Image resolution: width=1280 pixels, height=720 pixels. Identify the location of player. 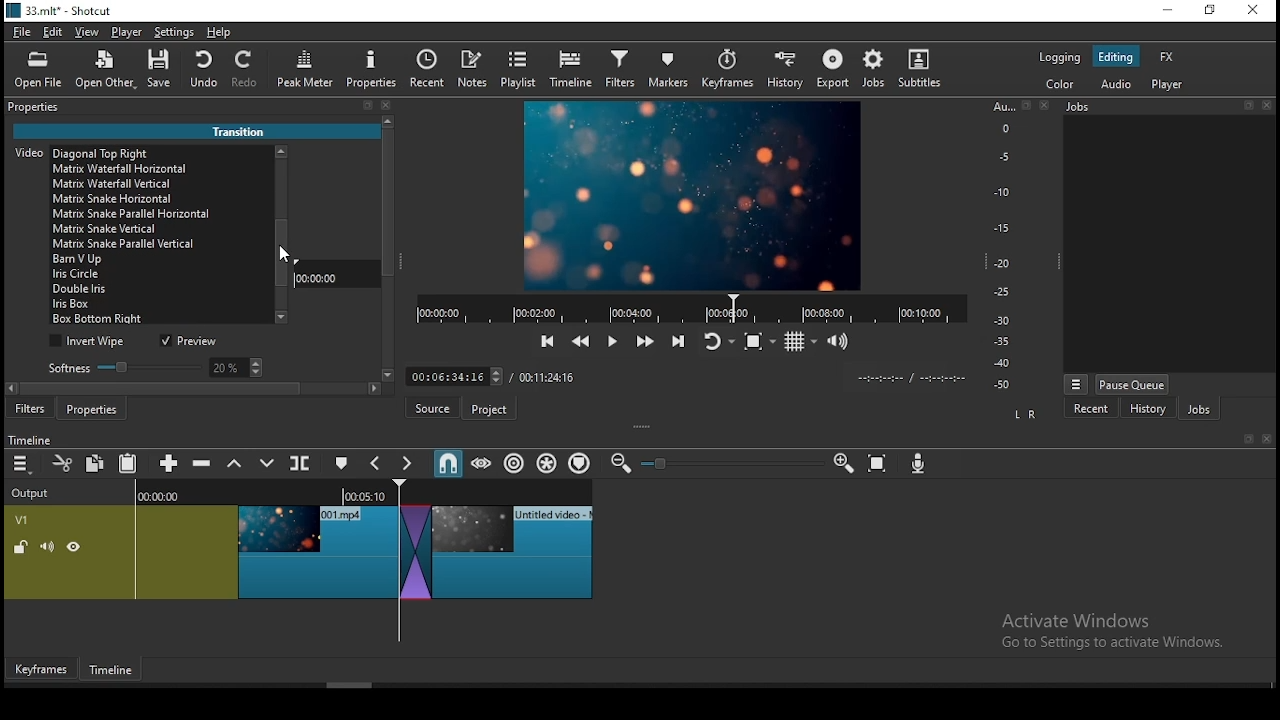
(127, 33).